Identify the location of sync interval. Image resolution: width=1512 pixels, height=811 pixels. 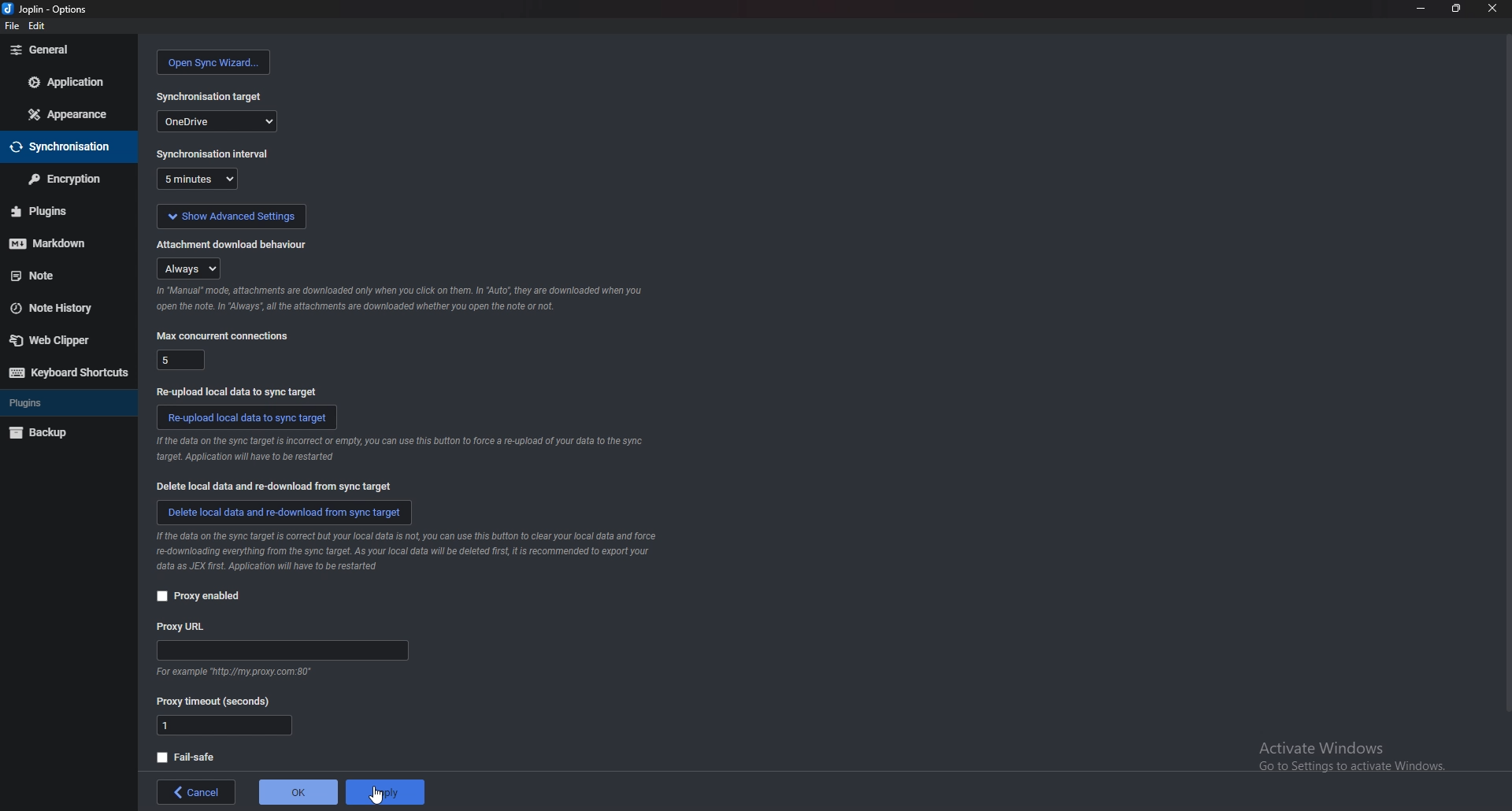
(212, 154).